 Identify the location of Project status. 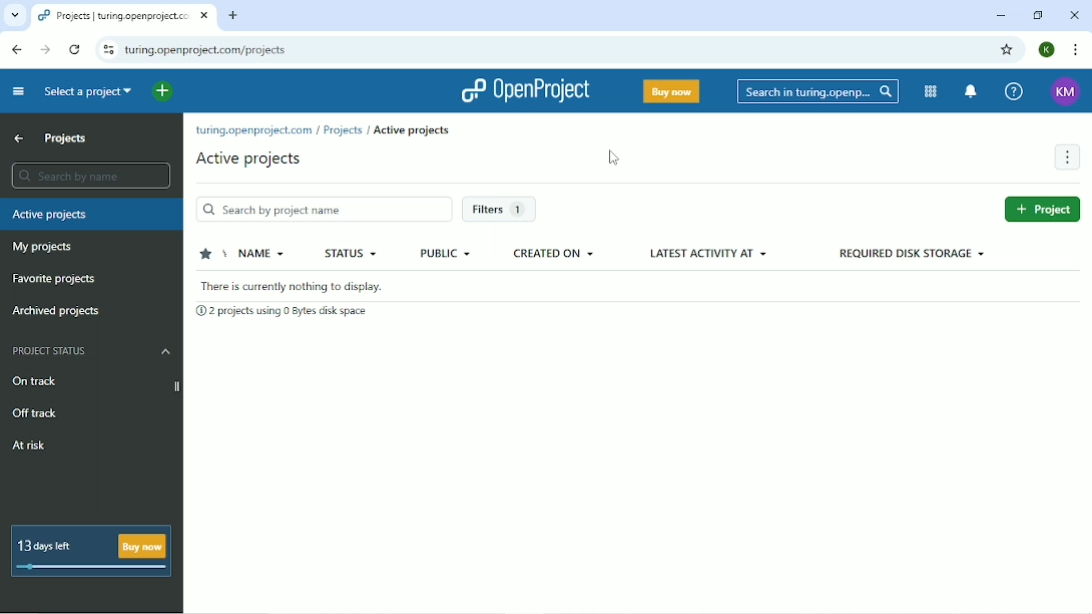
(92, 351).